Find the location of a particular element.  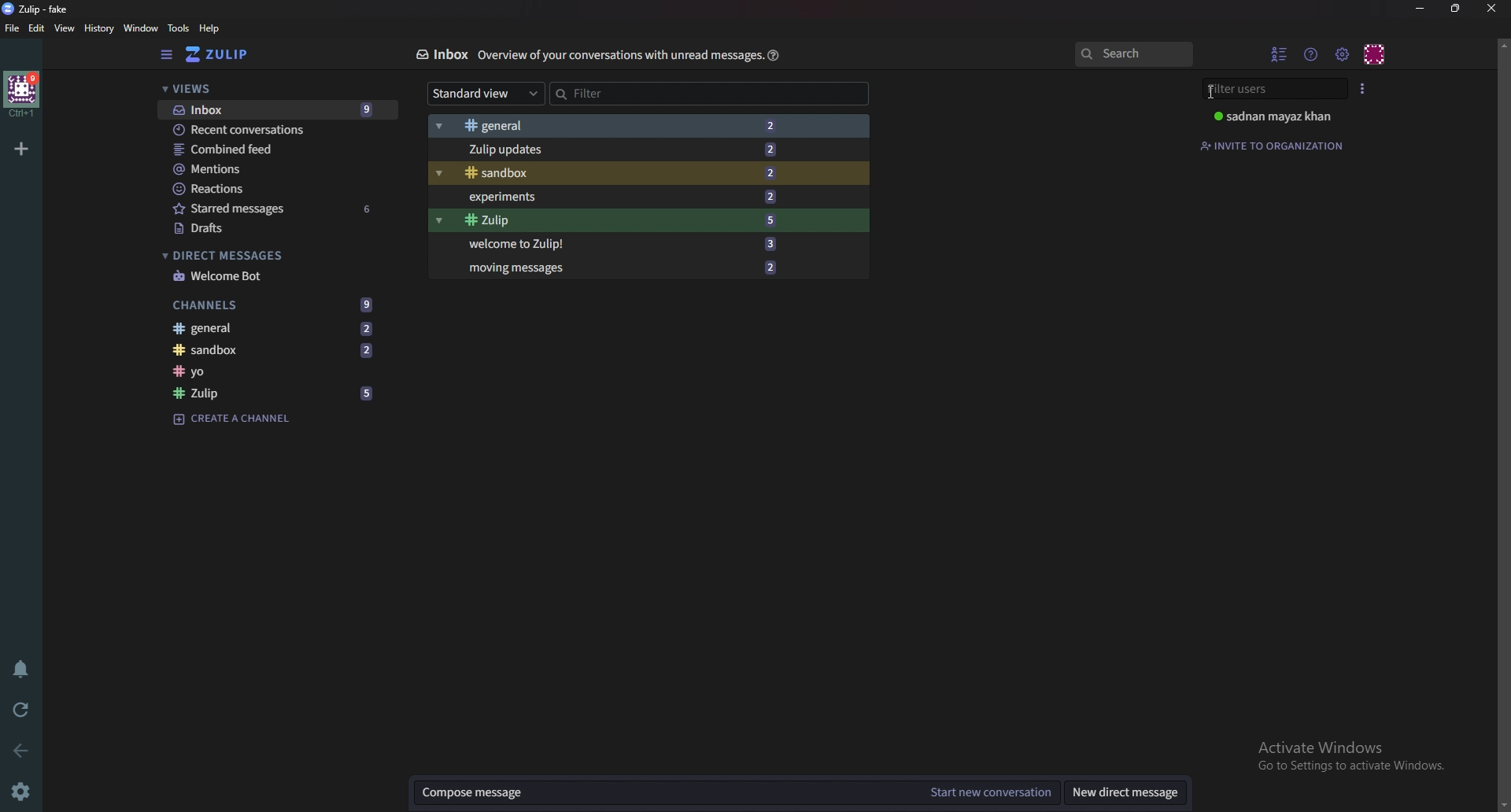

Start new conversation is located at coordinates (992, 792).